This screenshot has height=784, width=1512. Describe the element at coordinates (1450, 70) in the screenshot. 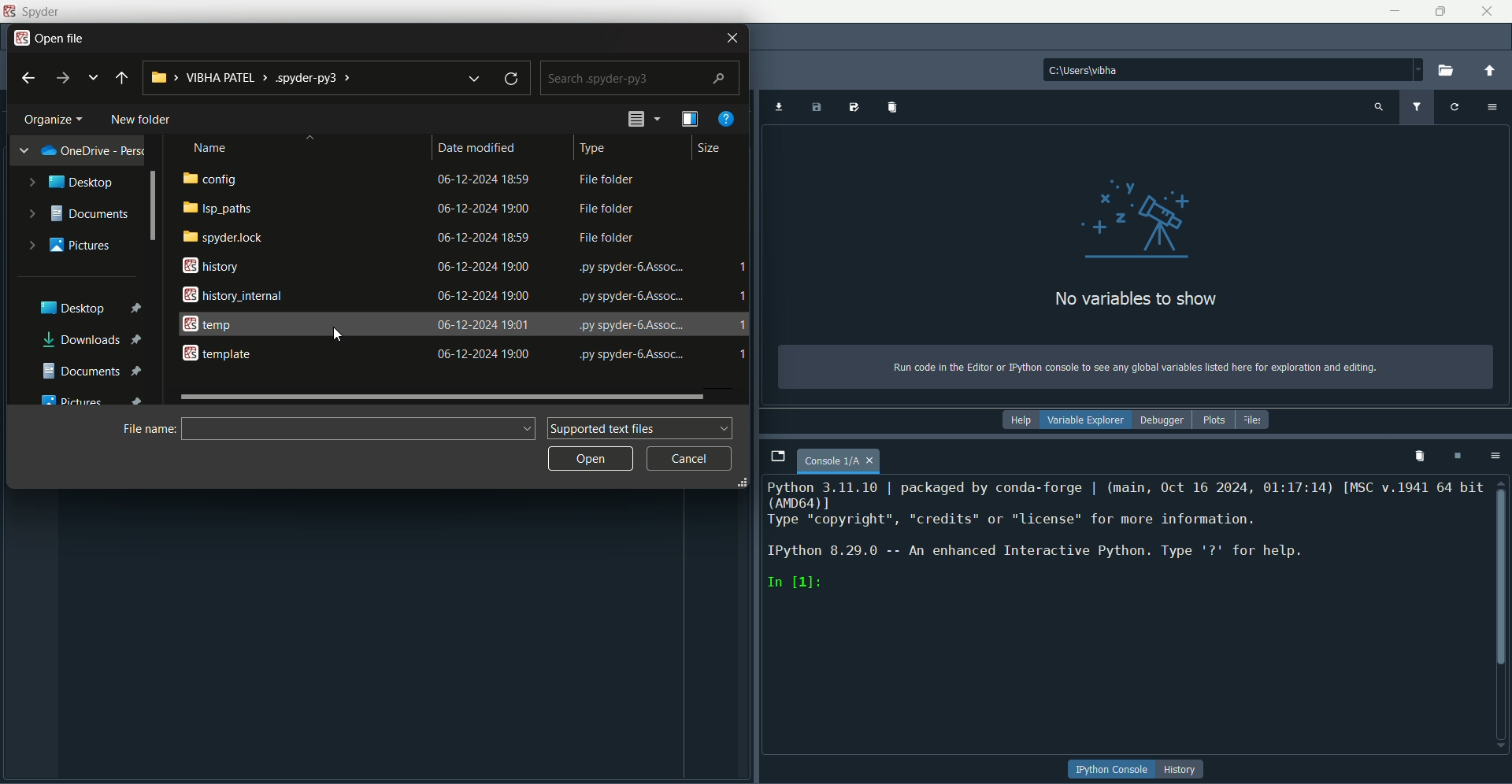

I see `open folder` at that location.